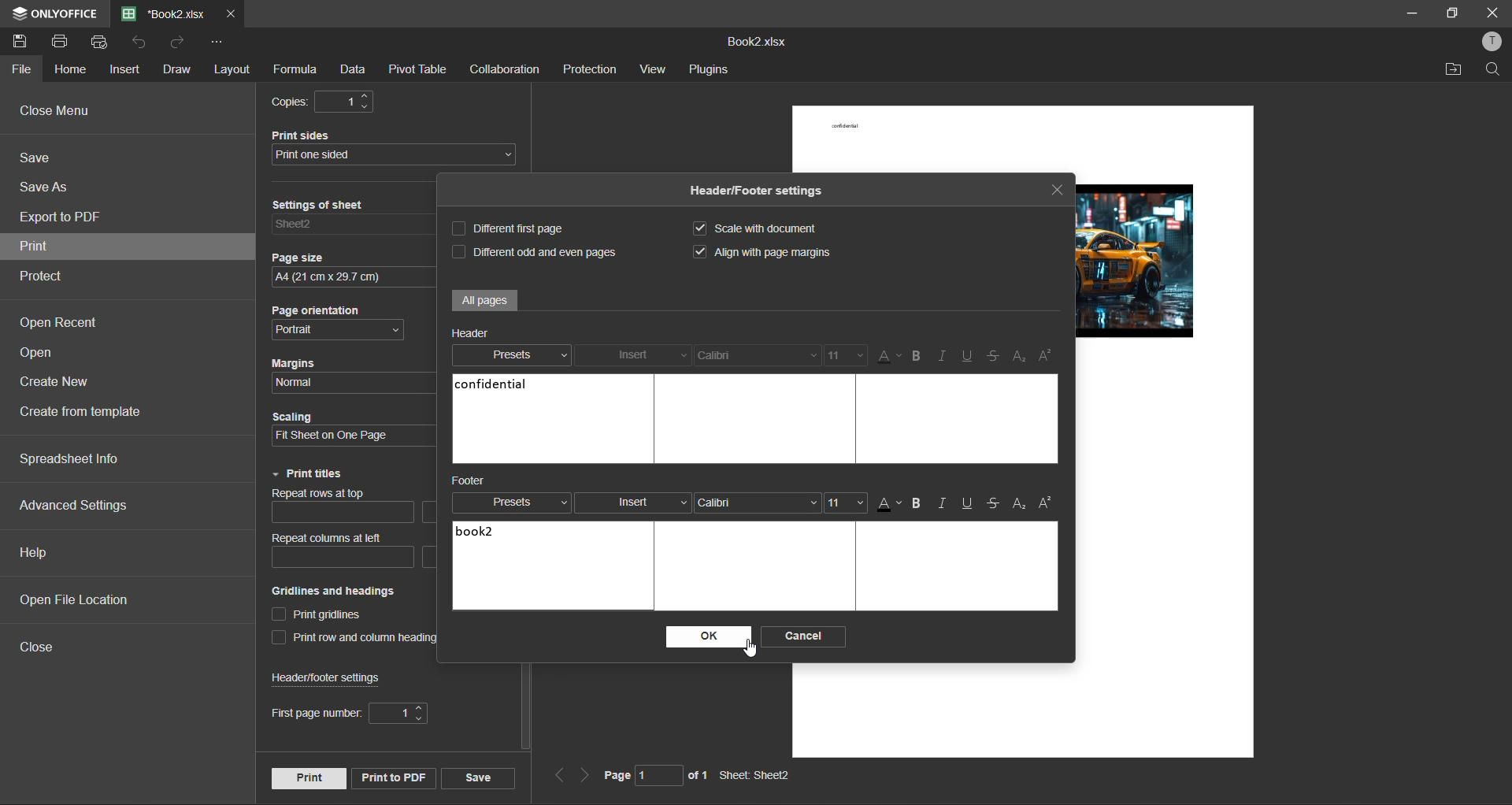 Image resolution: width=1512 pixels, height=805 pixels. What do you see at coordinates (557, 773) in the screenshot?
I see `previous` at bounding box center [557, 773].